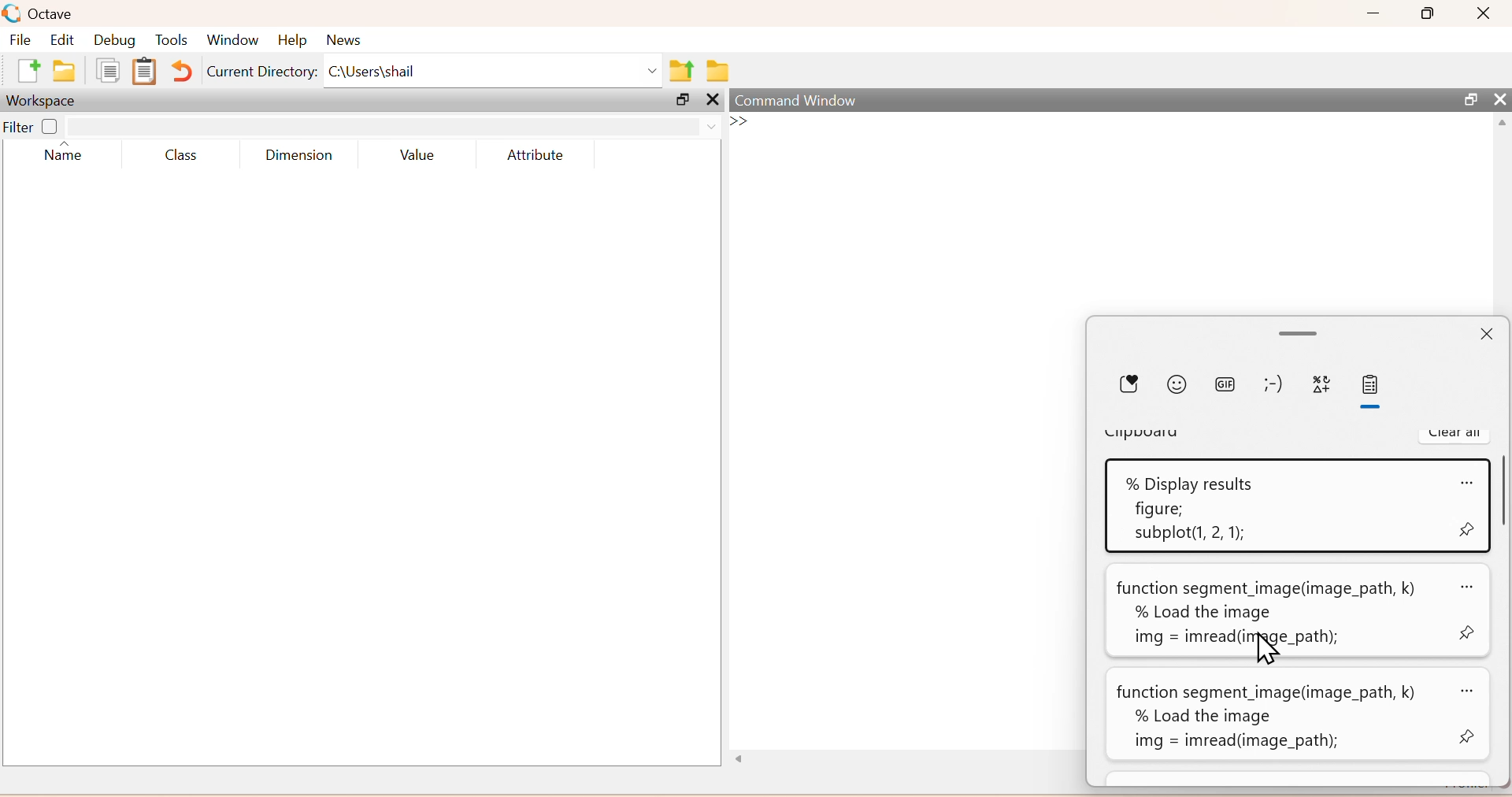 The width and height of the screenshot is (1512, 797). What do you see at coordinates (57, 13) in the screenshot?
I see `Octave` at bounding box center [57, 13].